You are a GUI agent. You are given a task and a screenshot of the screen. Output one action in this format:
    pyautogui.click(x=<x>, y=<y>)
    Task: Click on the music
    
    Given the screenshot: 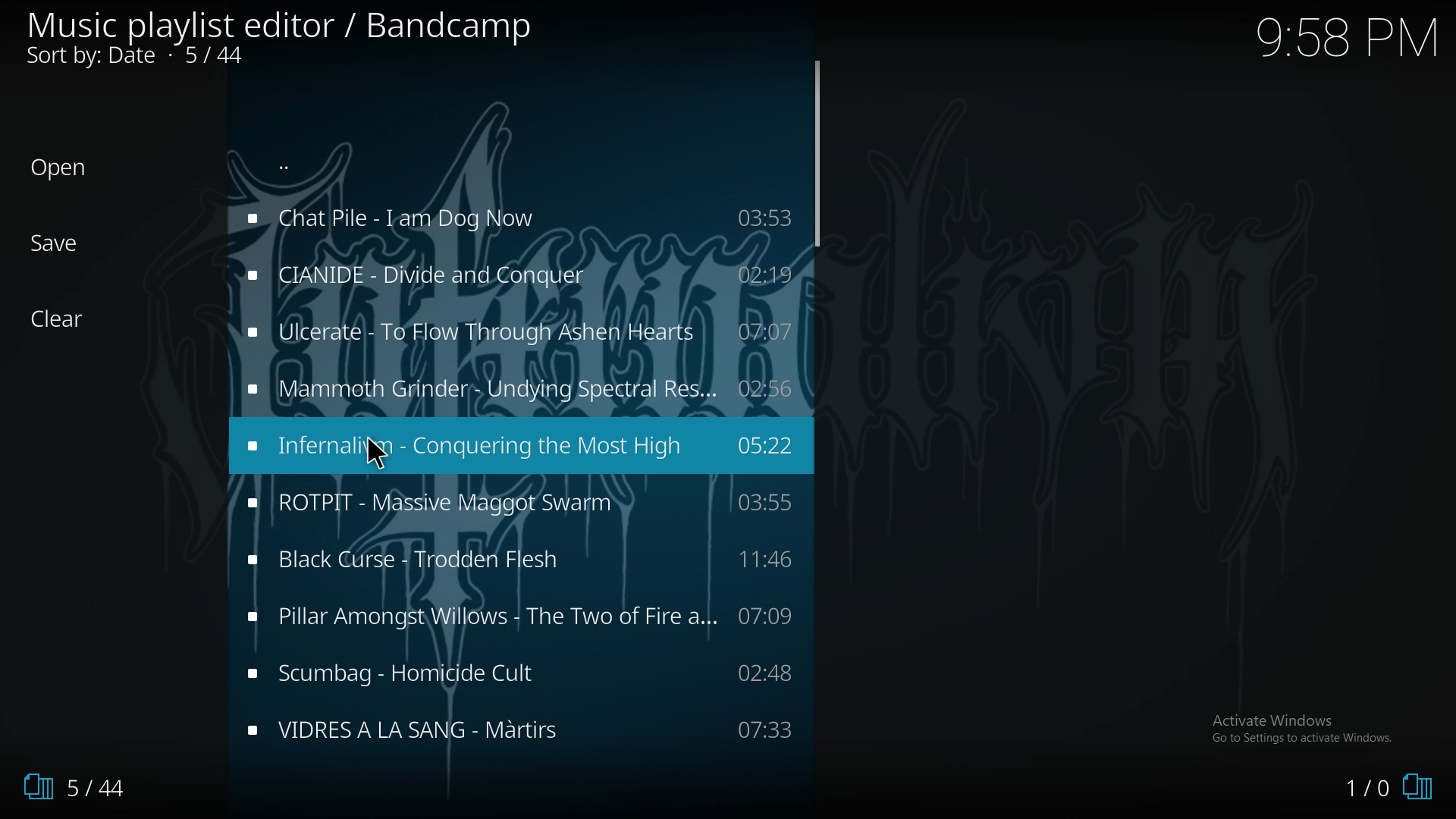 What is the action you would take?
    pyautogui.click(x=514, y=389)
    